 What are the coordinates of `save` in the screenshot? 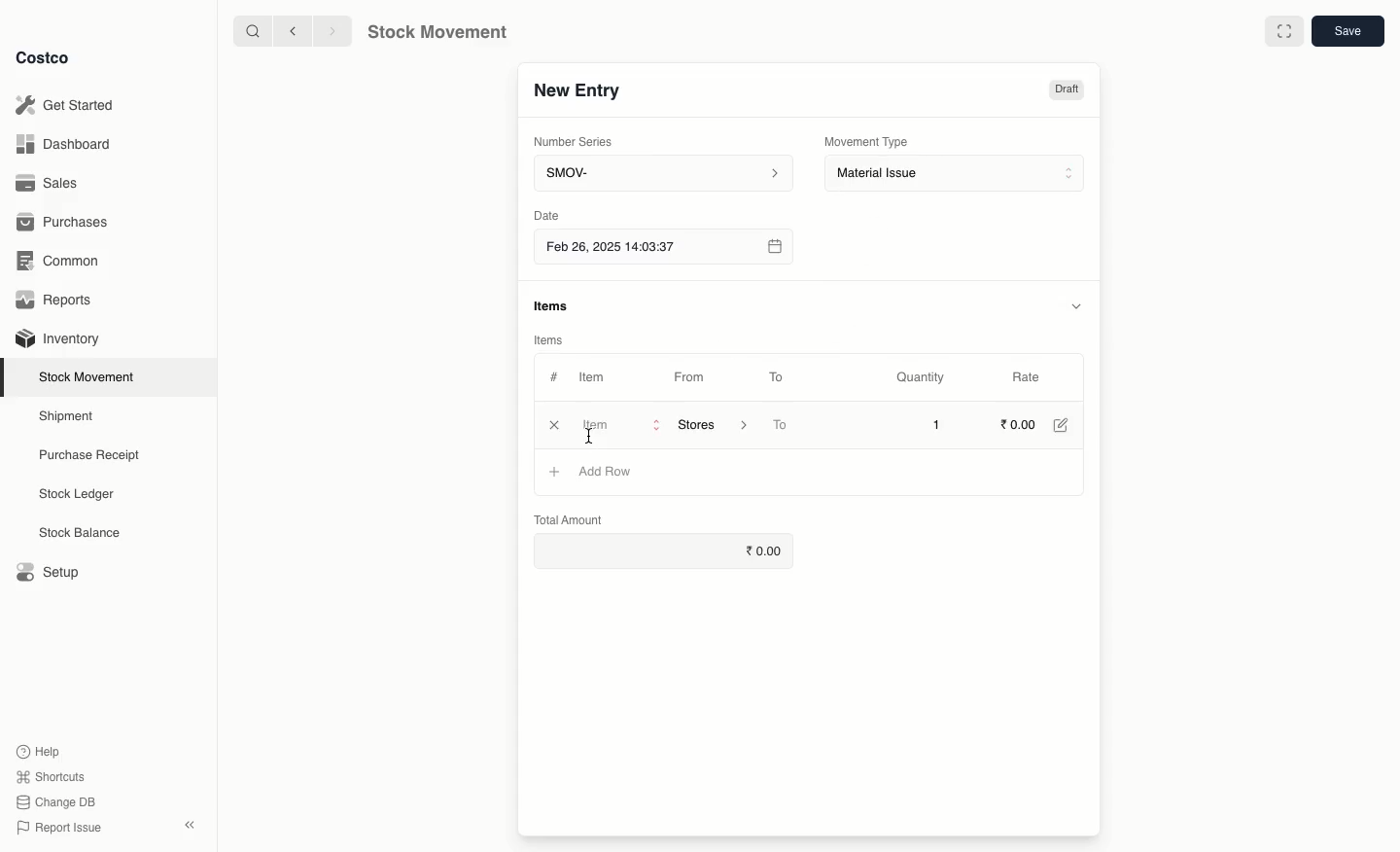 It's located at (1347, 30).